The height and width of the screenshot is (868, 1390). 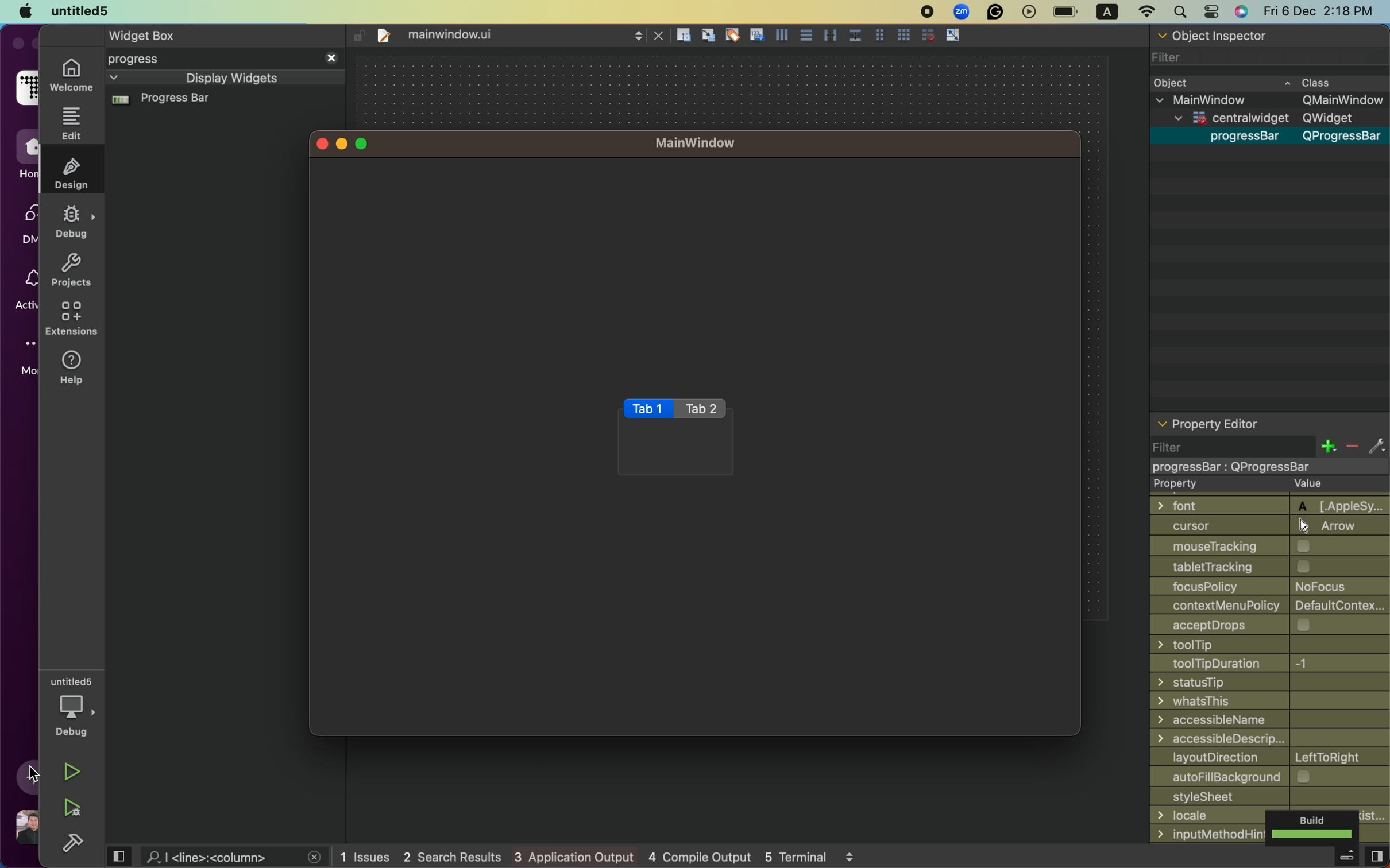 I want to click on accessible description, so click(x=1269, y=741).